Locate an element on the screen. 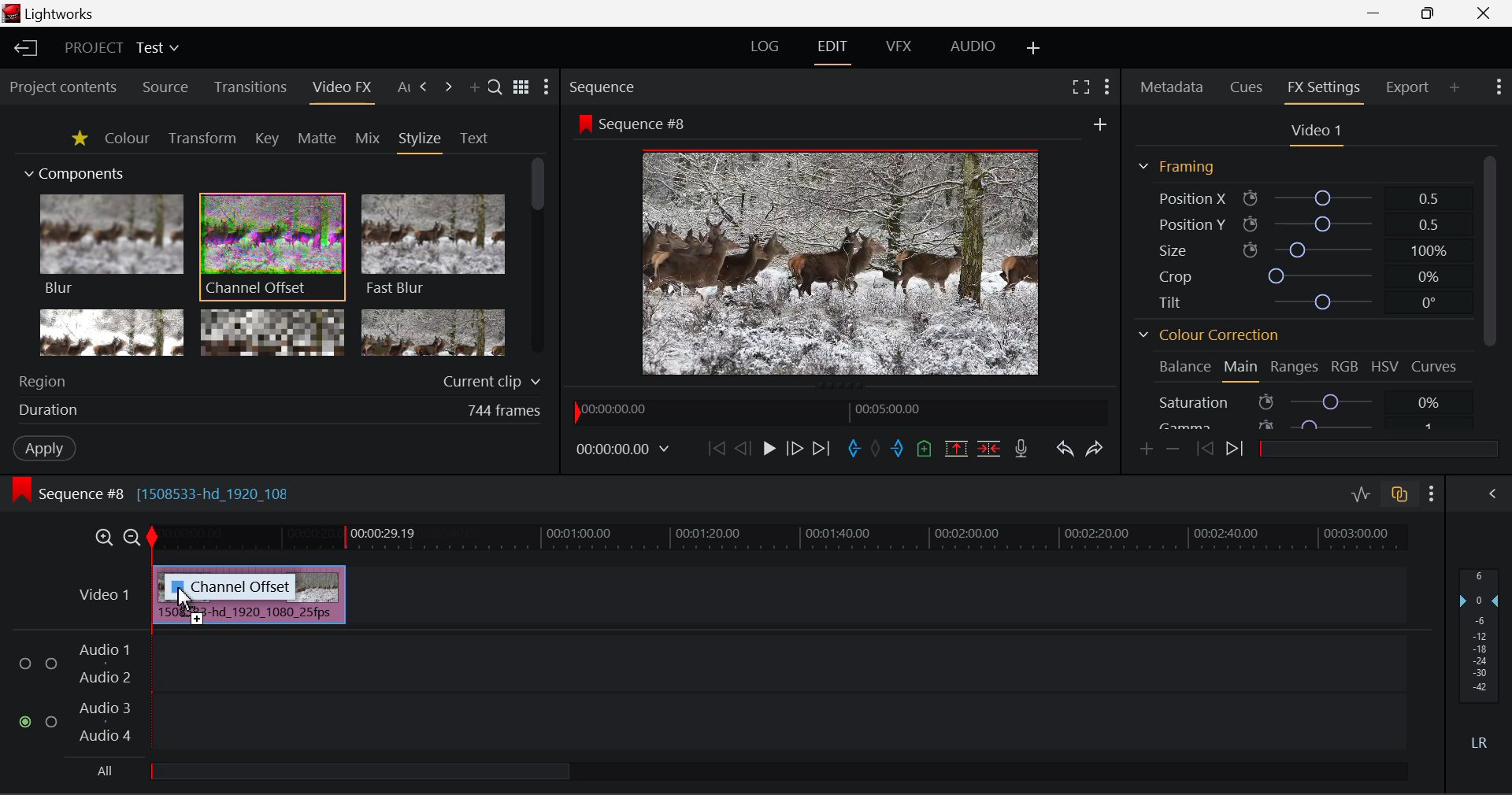 This screenshot has height=795, width=1512. Next keyframe is located at coordinates (1237, 451).